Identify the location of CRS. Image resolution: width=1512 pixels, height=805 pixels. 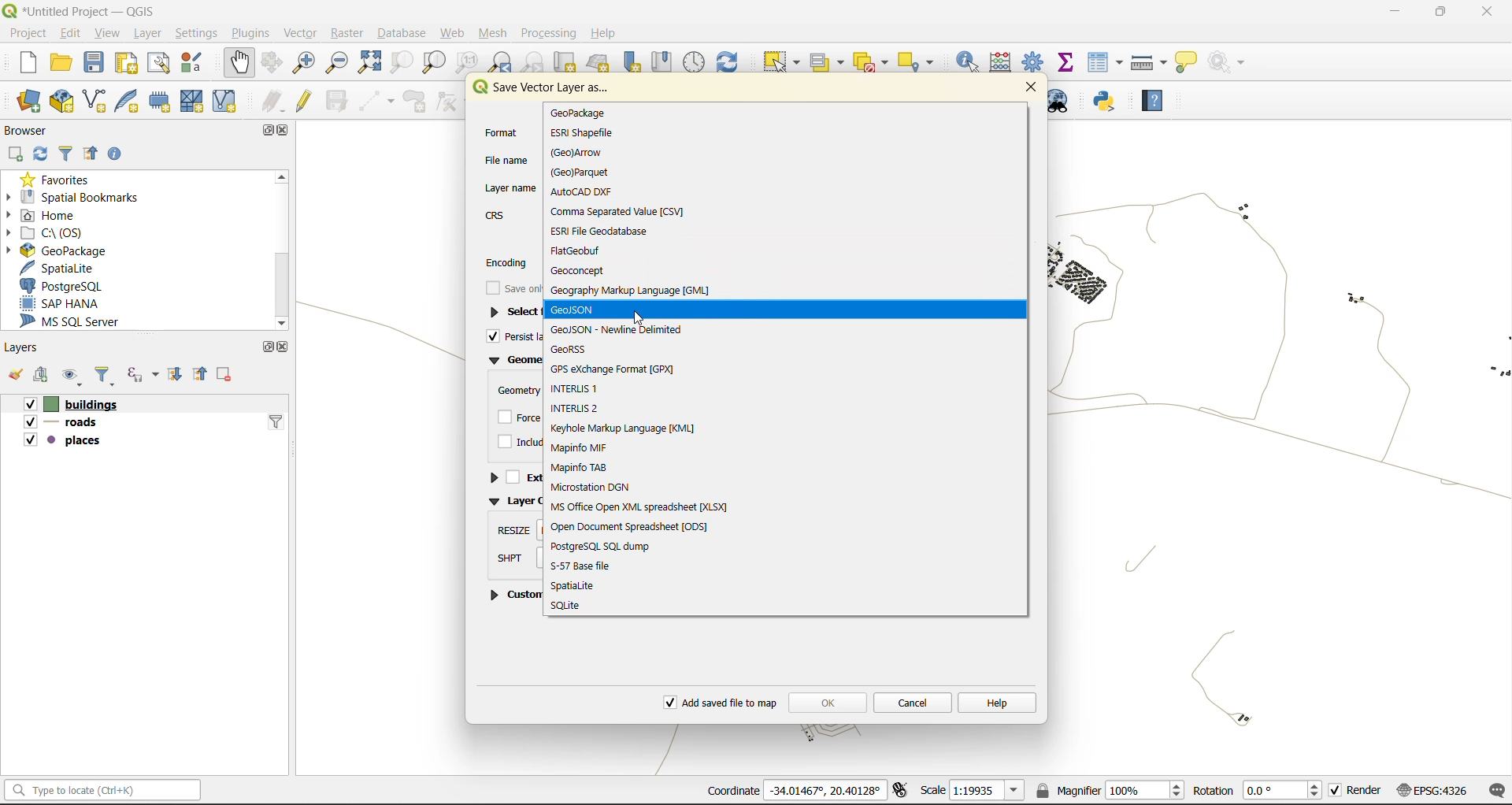
(495, 214).